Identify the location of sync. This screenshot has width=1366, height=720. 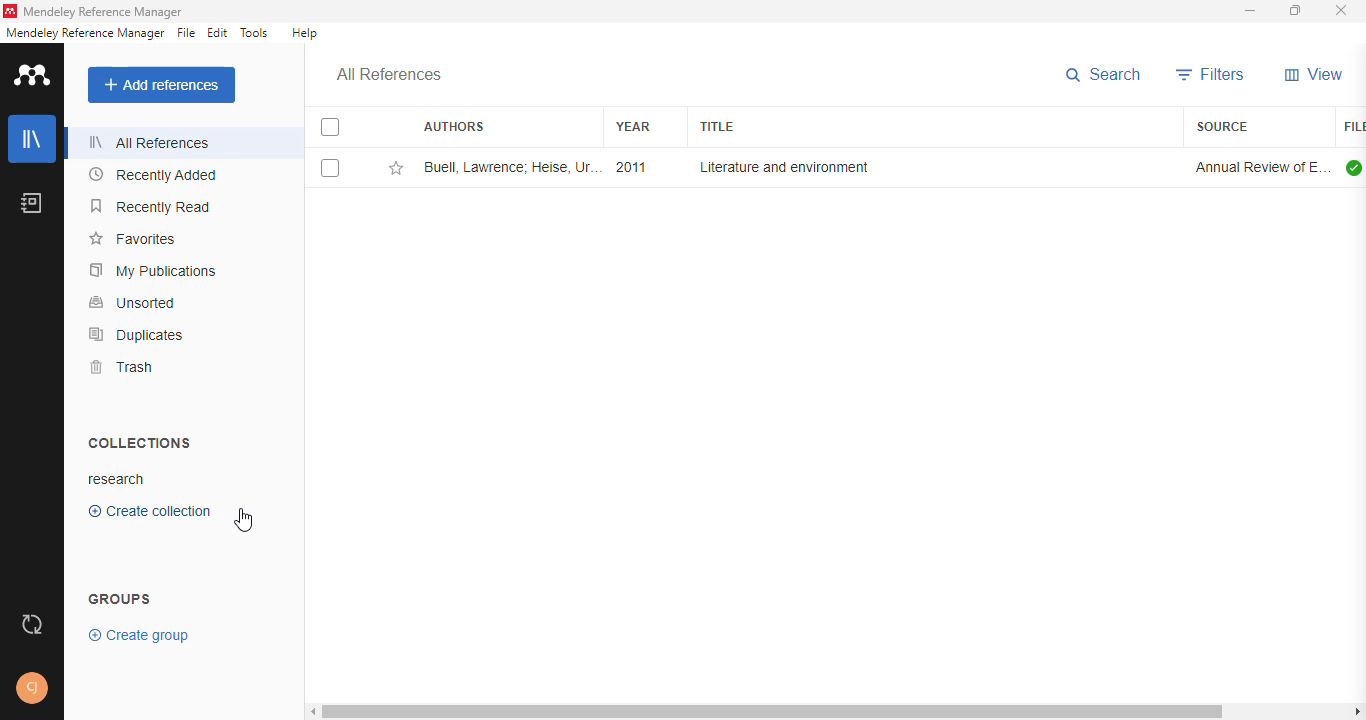
(31, 625).